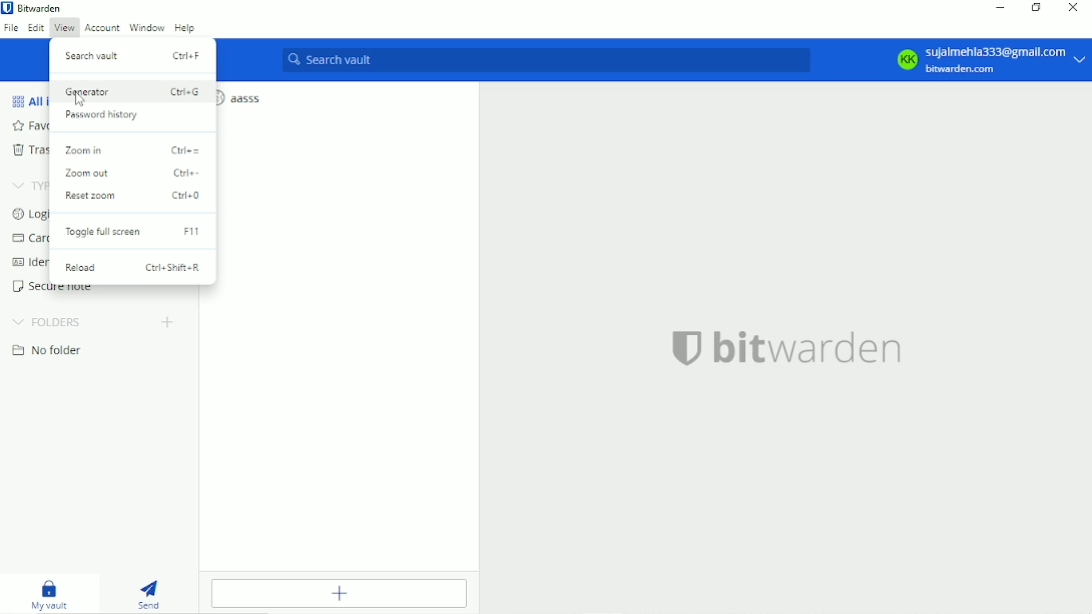  Describe the element at coordinates (50, 592) in the screenshot. I see `My vault` at that location.